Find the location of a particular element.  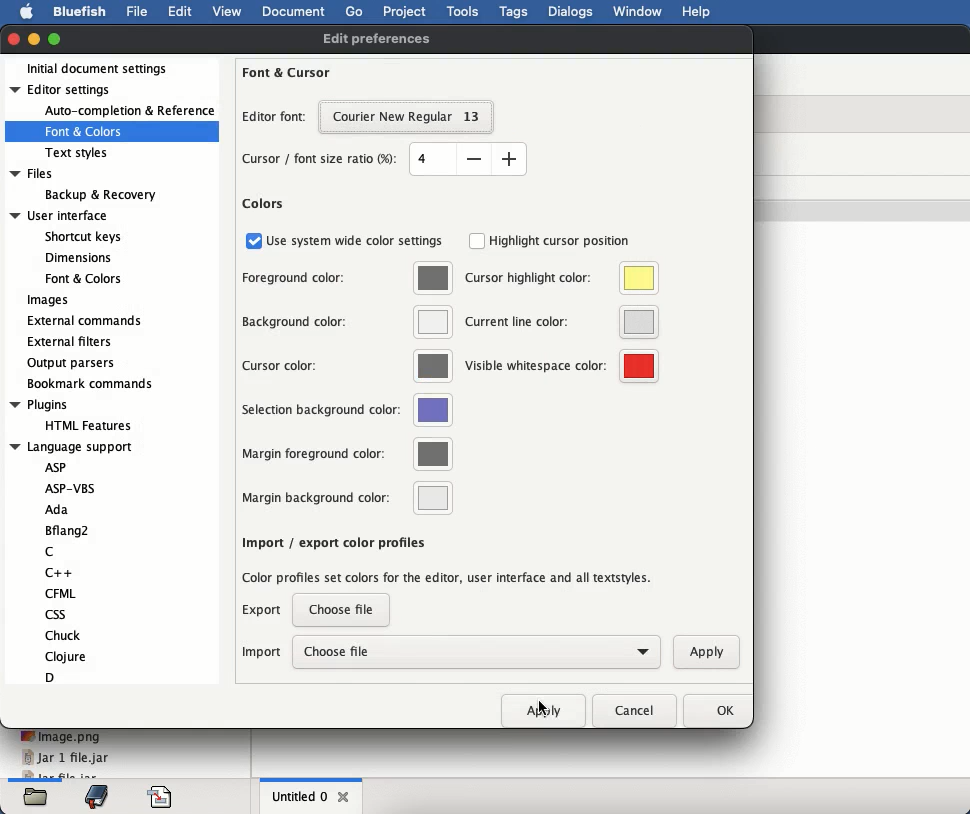

cursor color is located at coordinates (346, 365).